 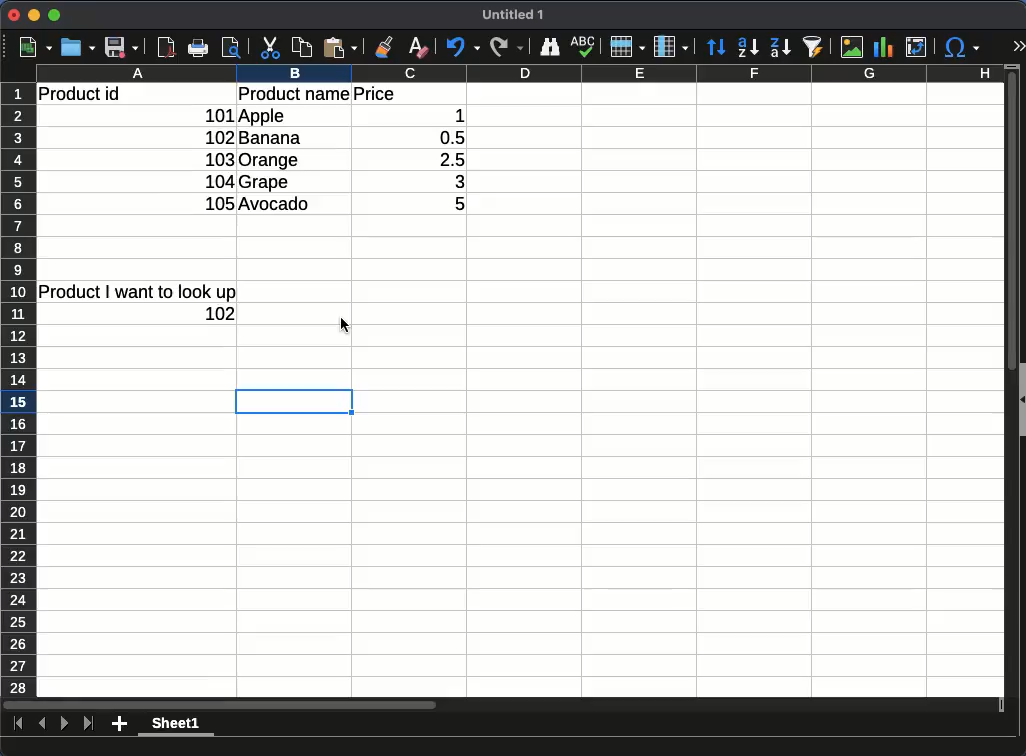 What do you see at coordinates (231, 48) in the screenshot?
I see `print preview` at bounding box center [231, 48].